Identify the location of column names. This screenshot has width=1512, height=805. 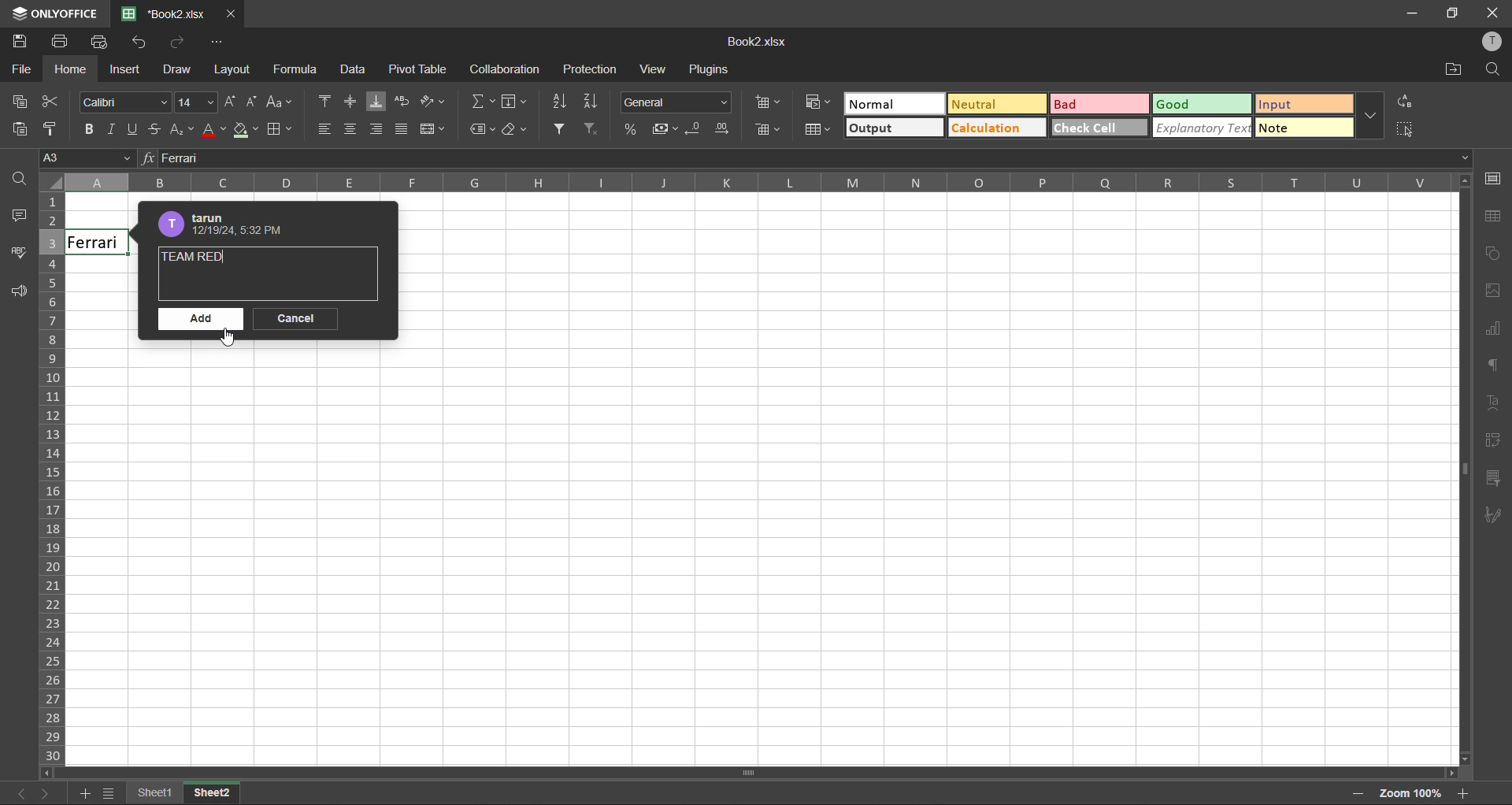
(750, 184).